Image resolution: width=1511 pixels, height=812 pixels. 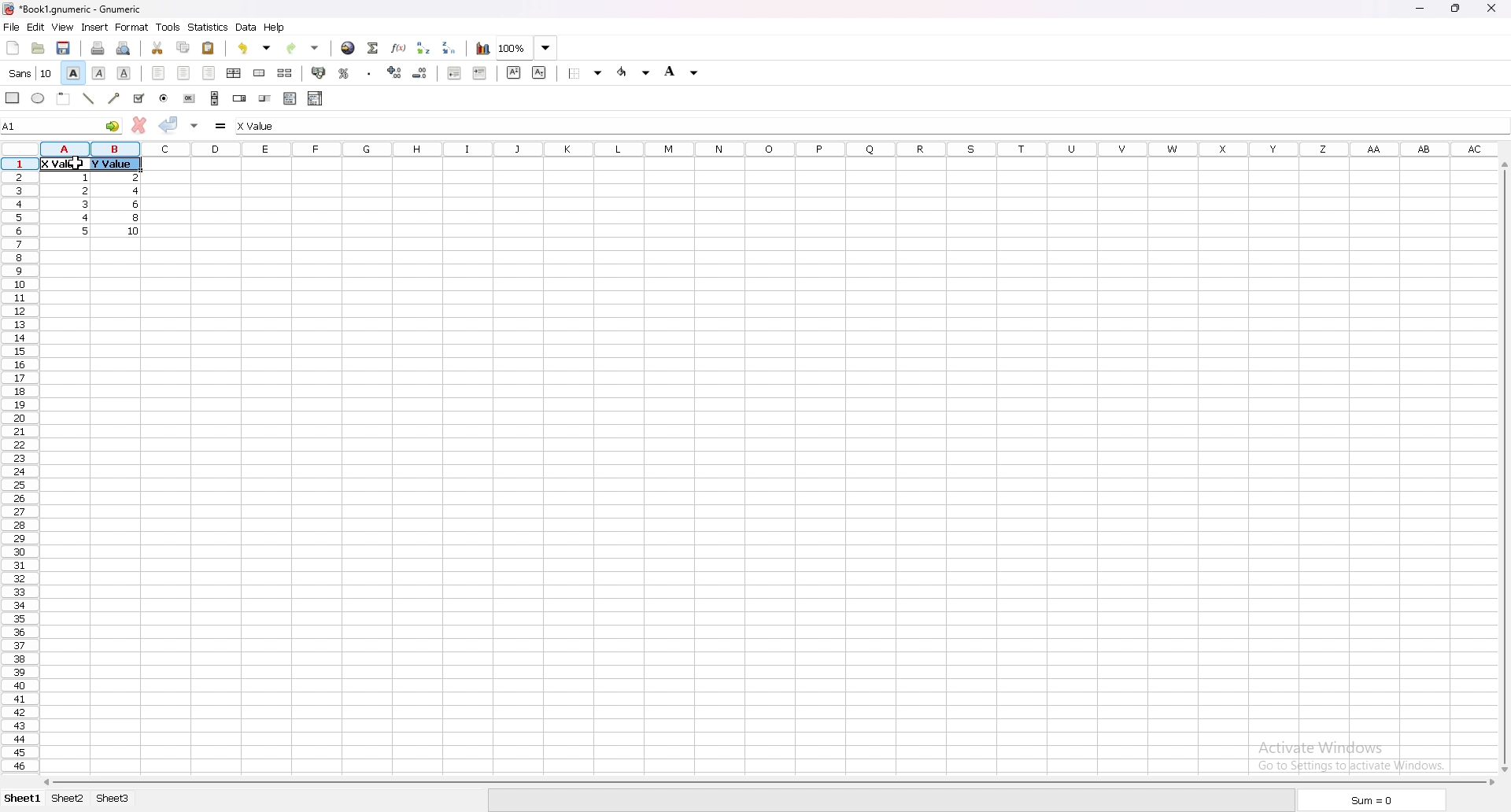 I want to click on arrowed line, so click(x=115, y=98).